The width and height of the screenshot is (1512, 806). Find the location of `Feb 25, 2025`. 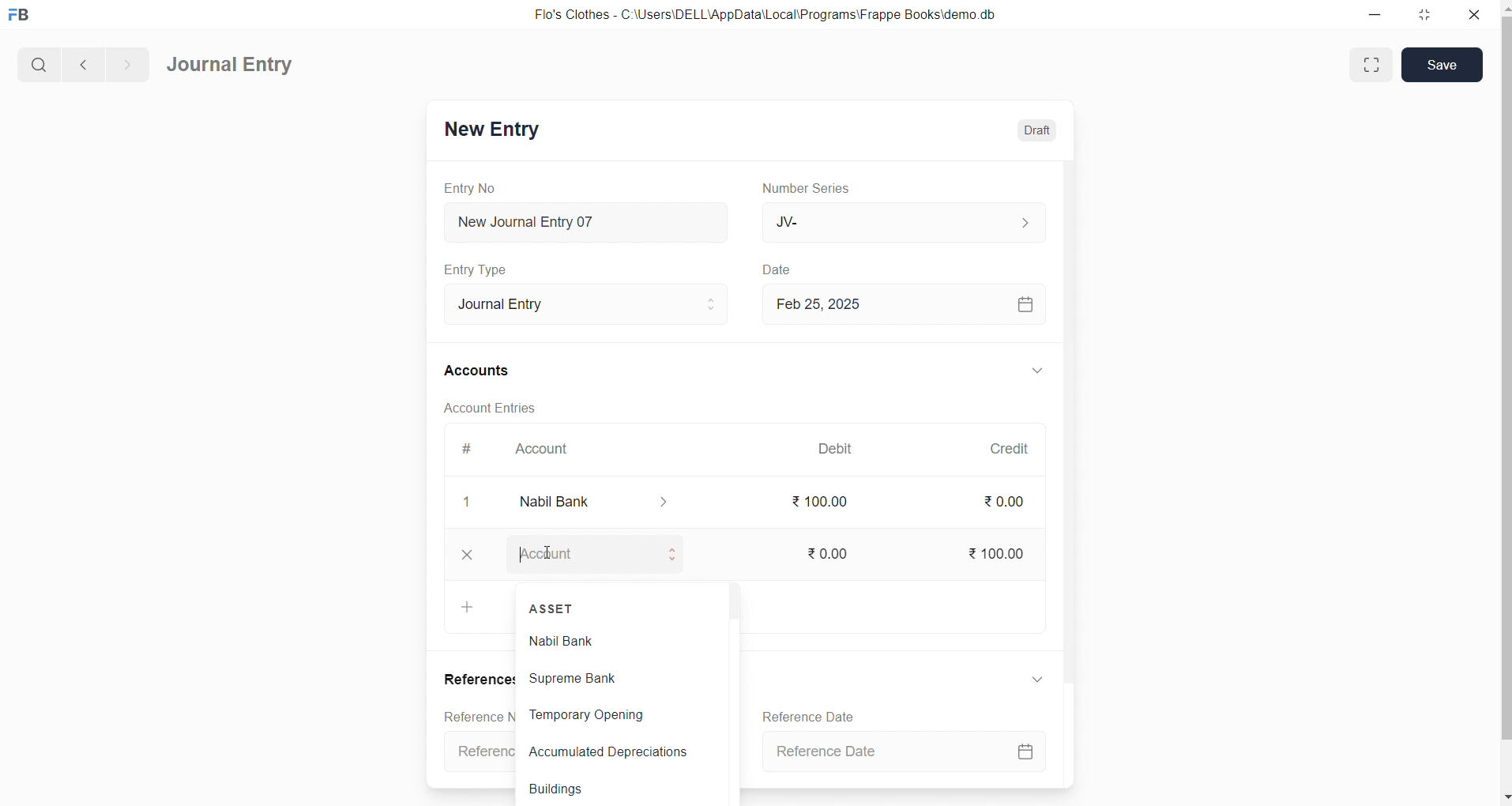

Feb 25, 2025 is located at coordinates (901, 303).